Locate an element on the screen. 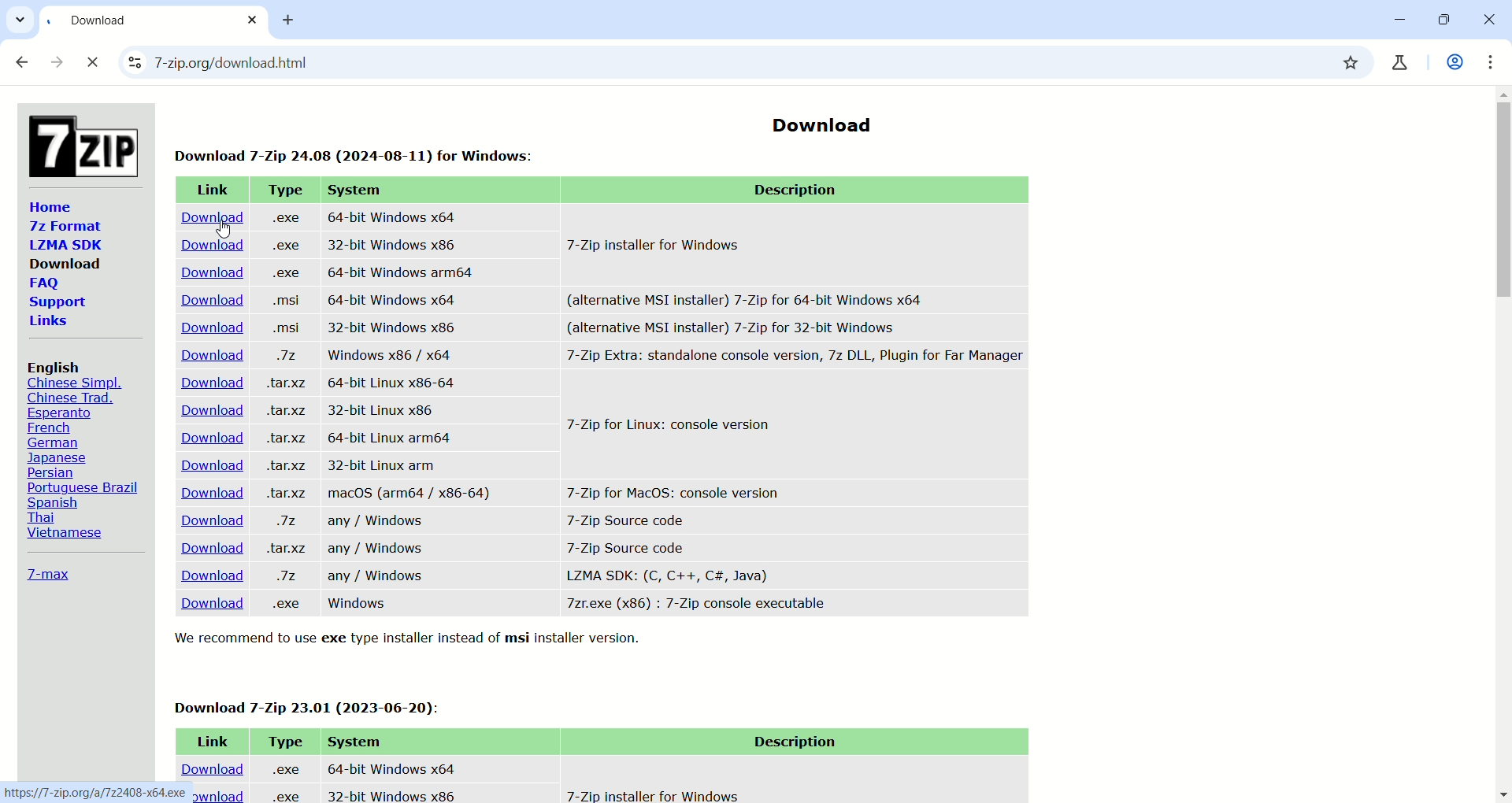 The image size is (1512, 803). 7-Zip for Linux: console version is located at coordinates (672, 427).